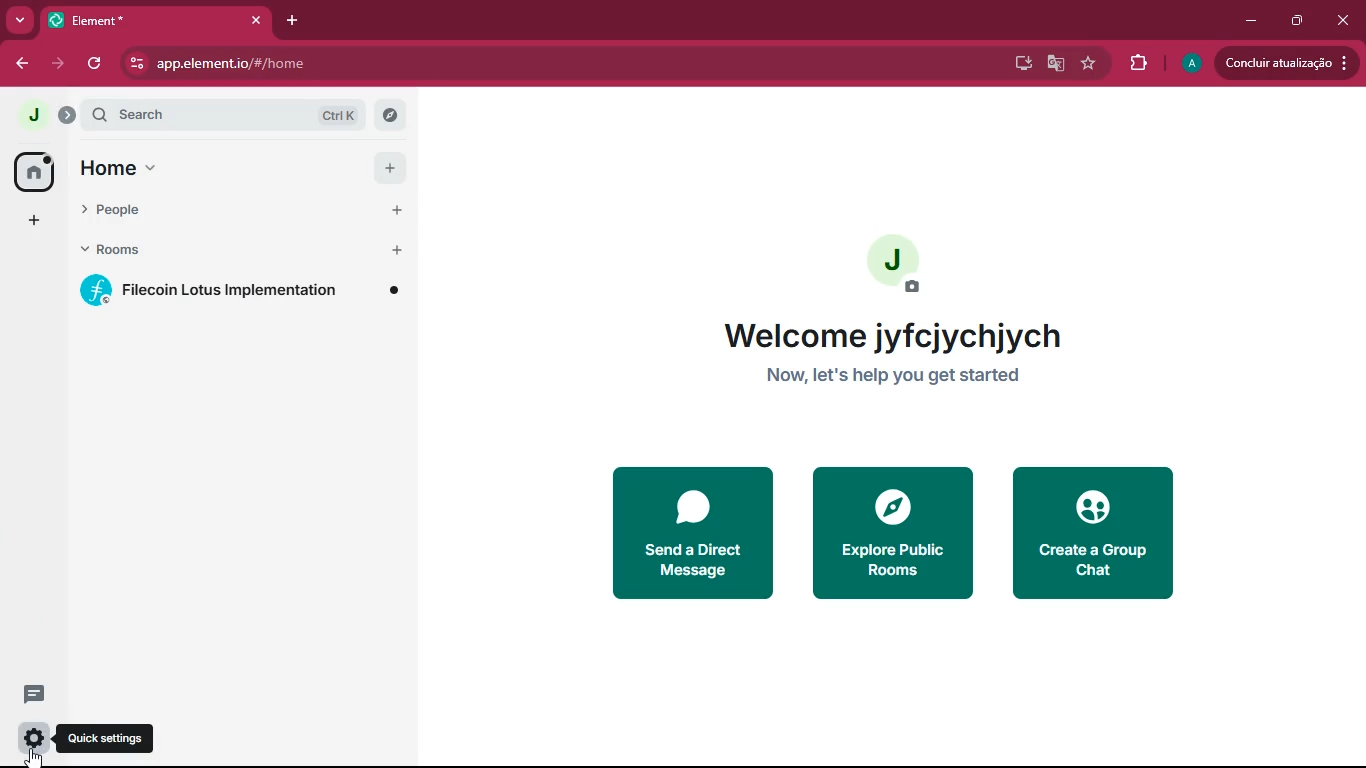 The height and width of the screenshot is (768, 1366). I want to click on add tab, so click(293, 21).